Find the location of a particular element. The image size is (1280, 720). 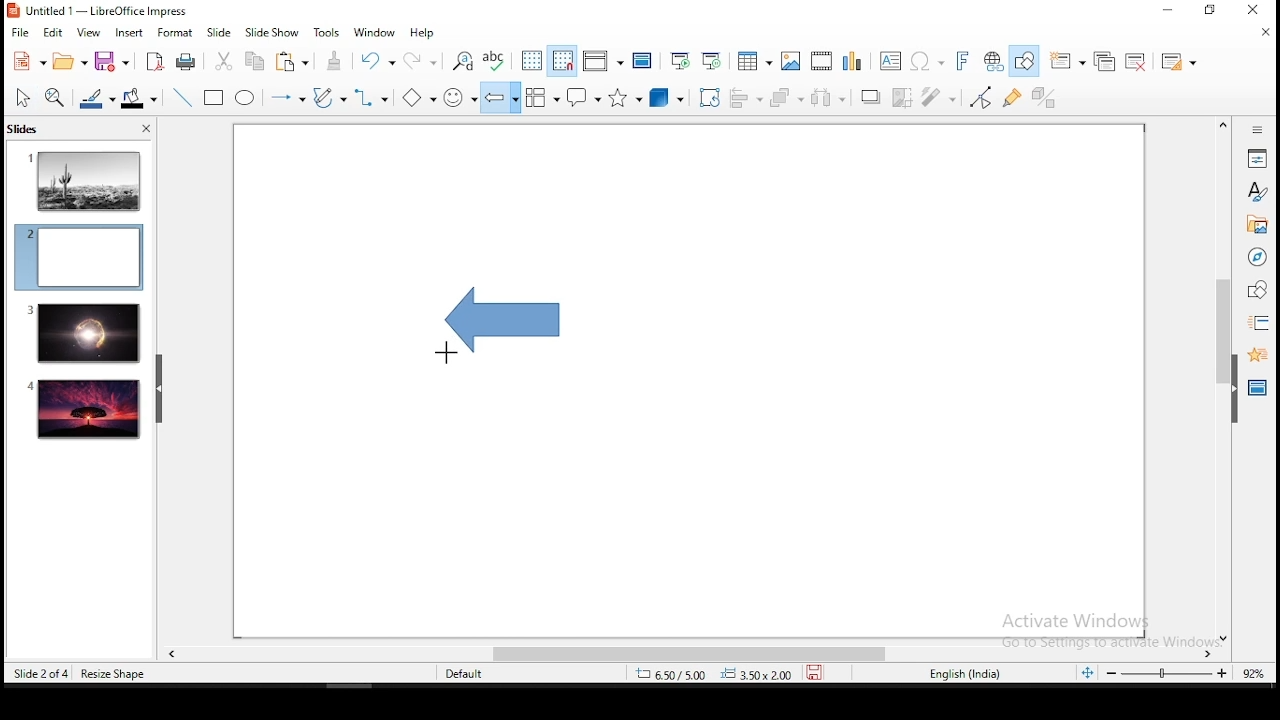

gallery is located at coordinates (1257, 227).